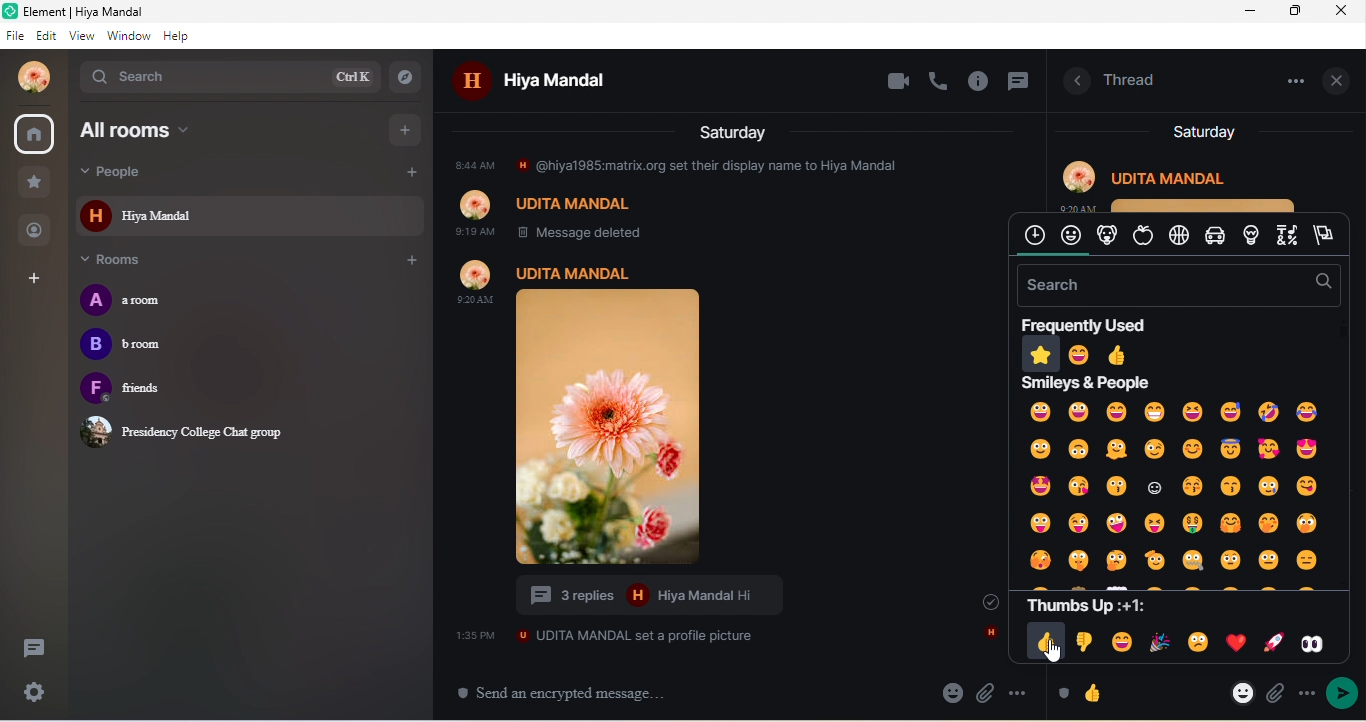 The height and width of the screenshot is (722, 1366). What do you see at coordinates (188, 431) in the screenshot?
I see `presidency college chat group` at bounding box center [188, 431].